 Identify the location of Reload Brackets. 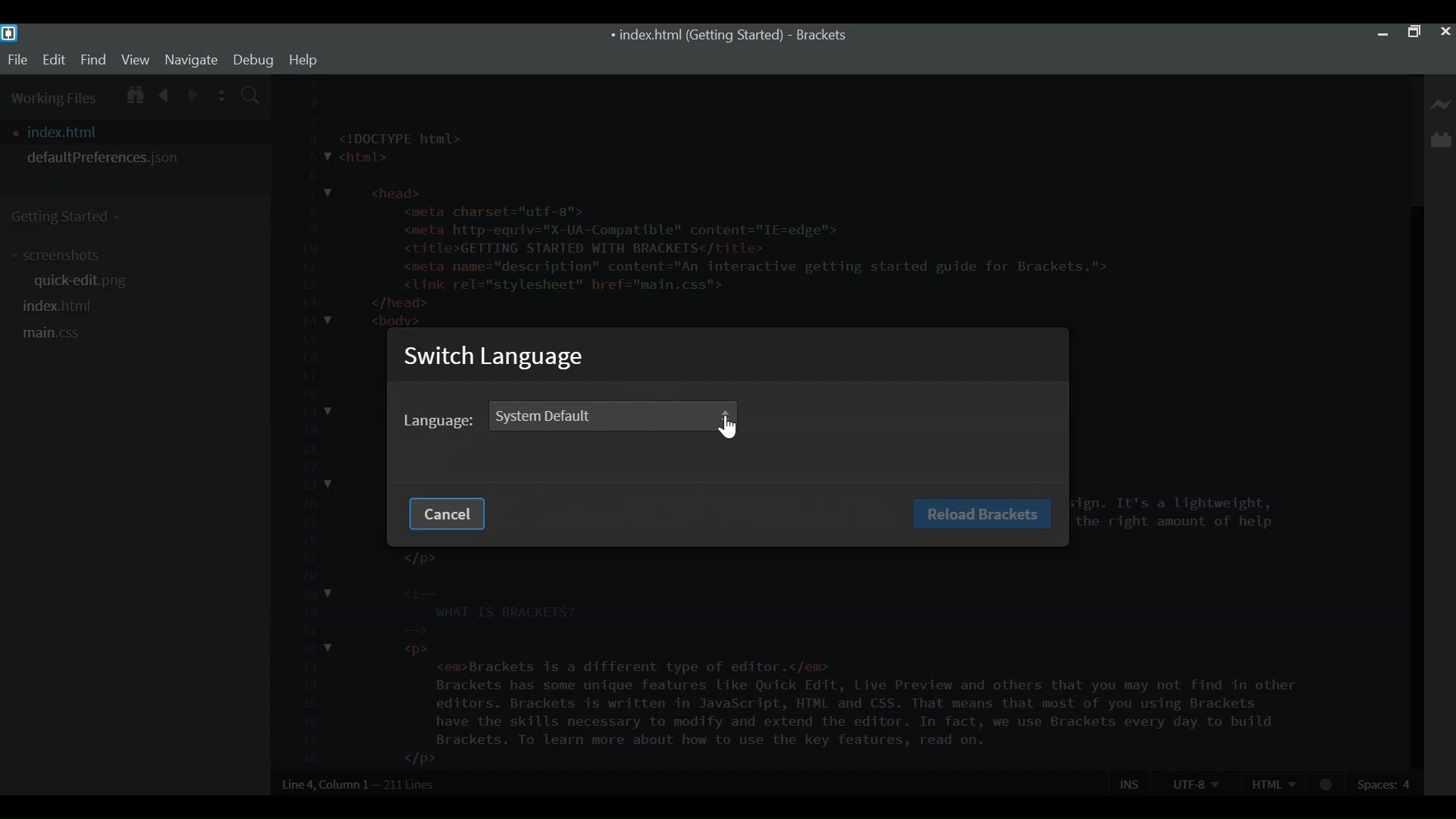
(981, 513).